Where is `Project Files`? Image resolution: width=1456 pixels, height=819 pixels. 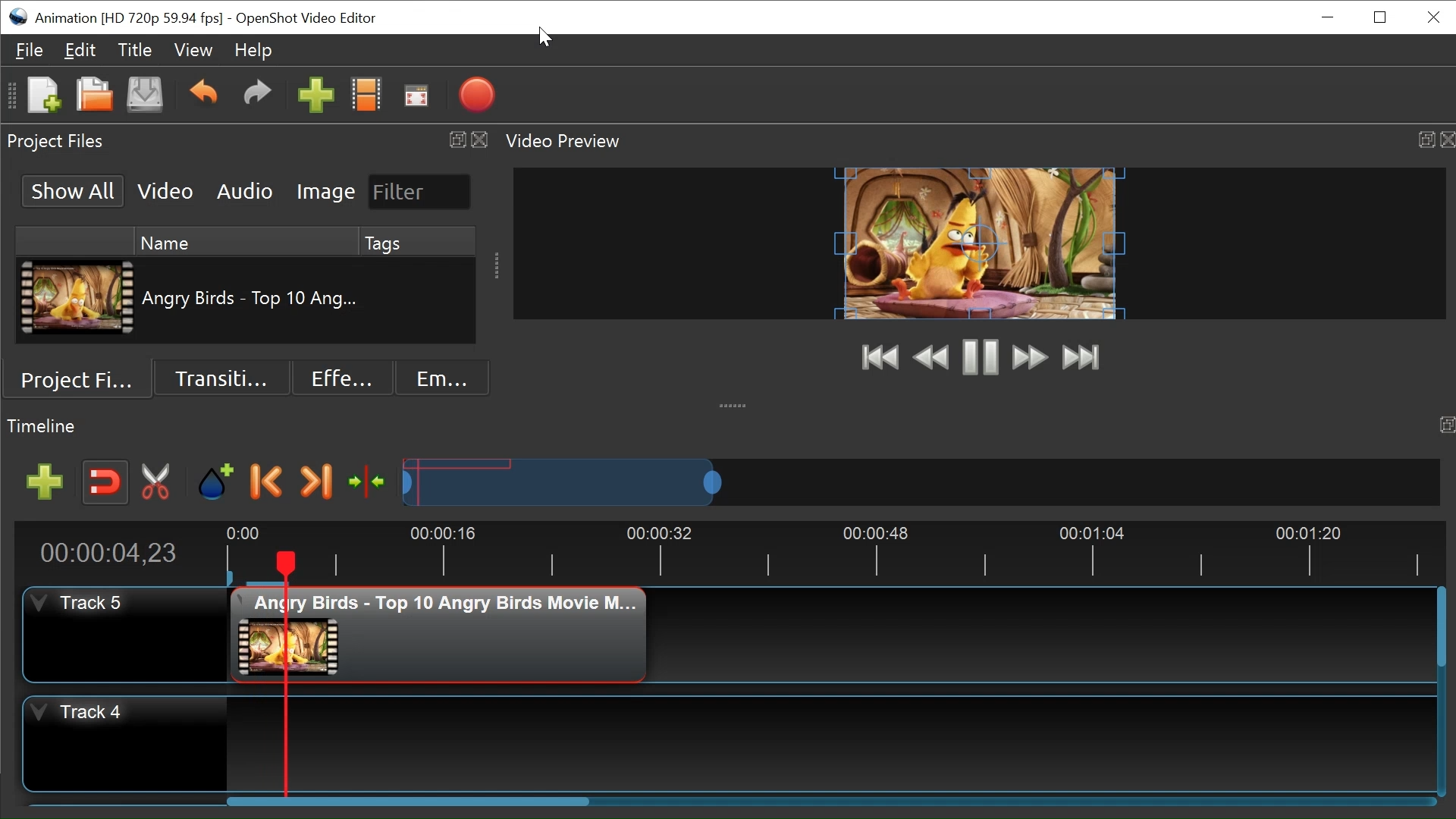 Project Files is located at coordinates (83, 378).